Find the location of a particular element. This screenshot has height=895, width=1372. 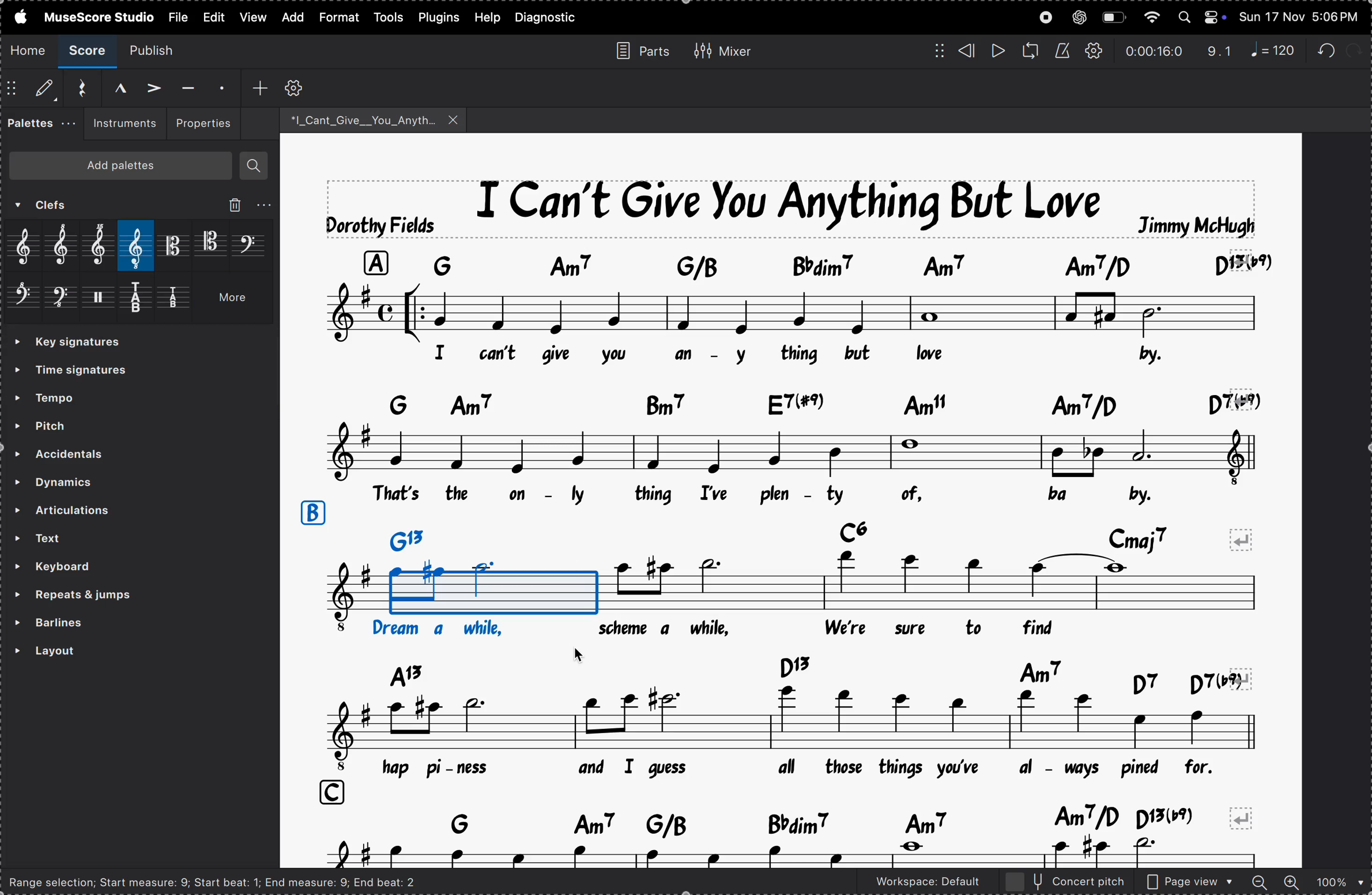

note is located at coordinates (1278, 50).